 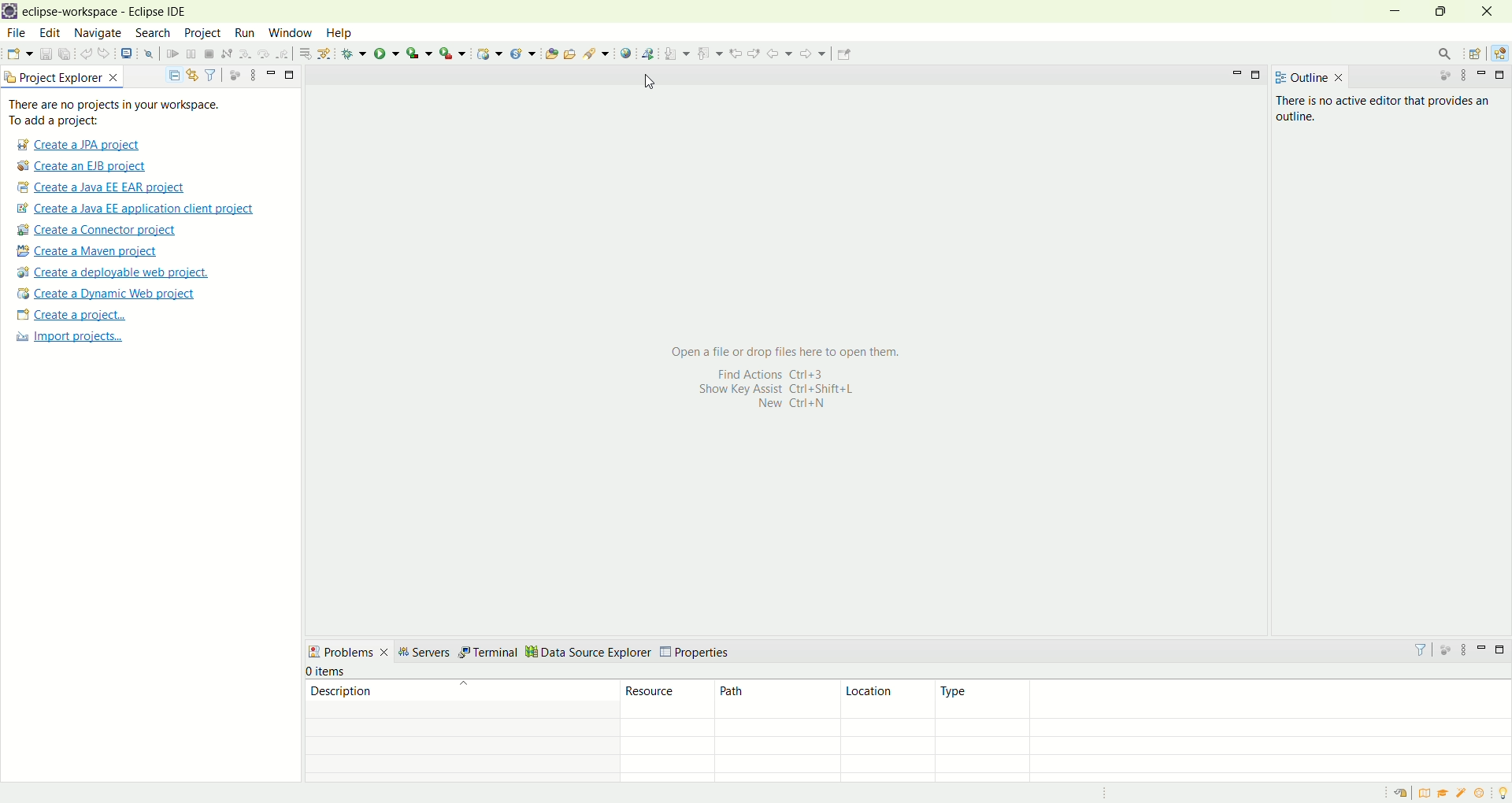 I want to click on maximize, so click(x=1503, y=649).